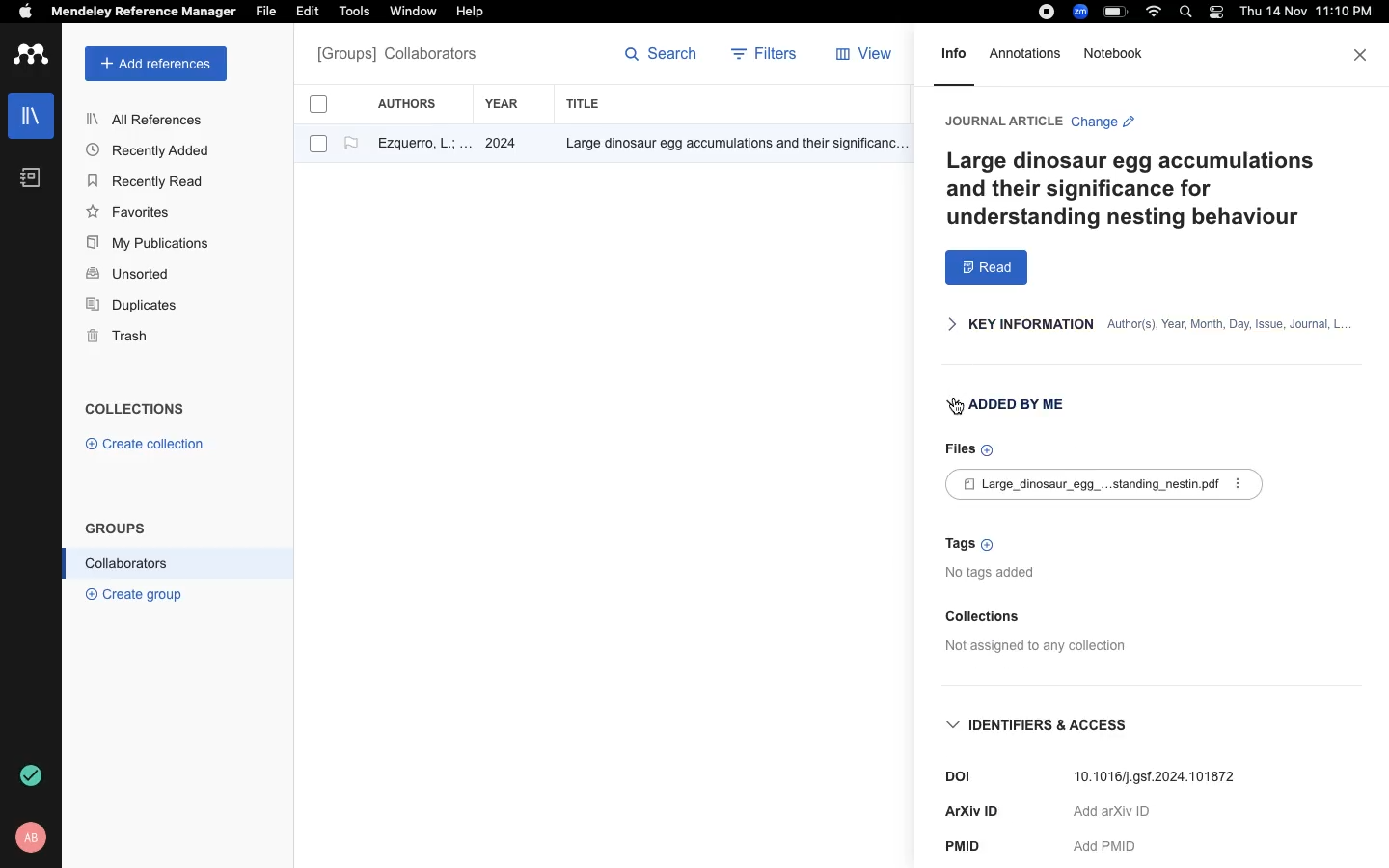  I want to click on Recently Read, so click(148, 181).